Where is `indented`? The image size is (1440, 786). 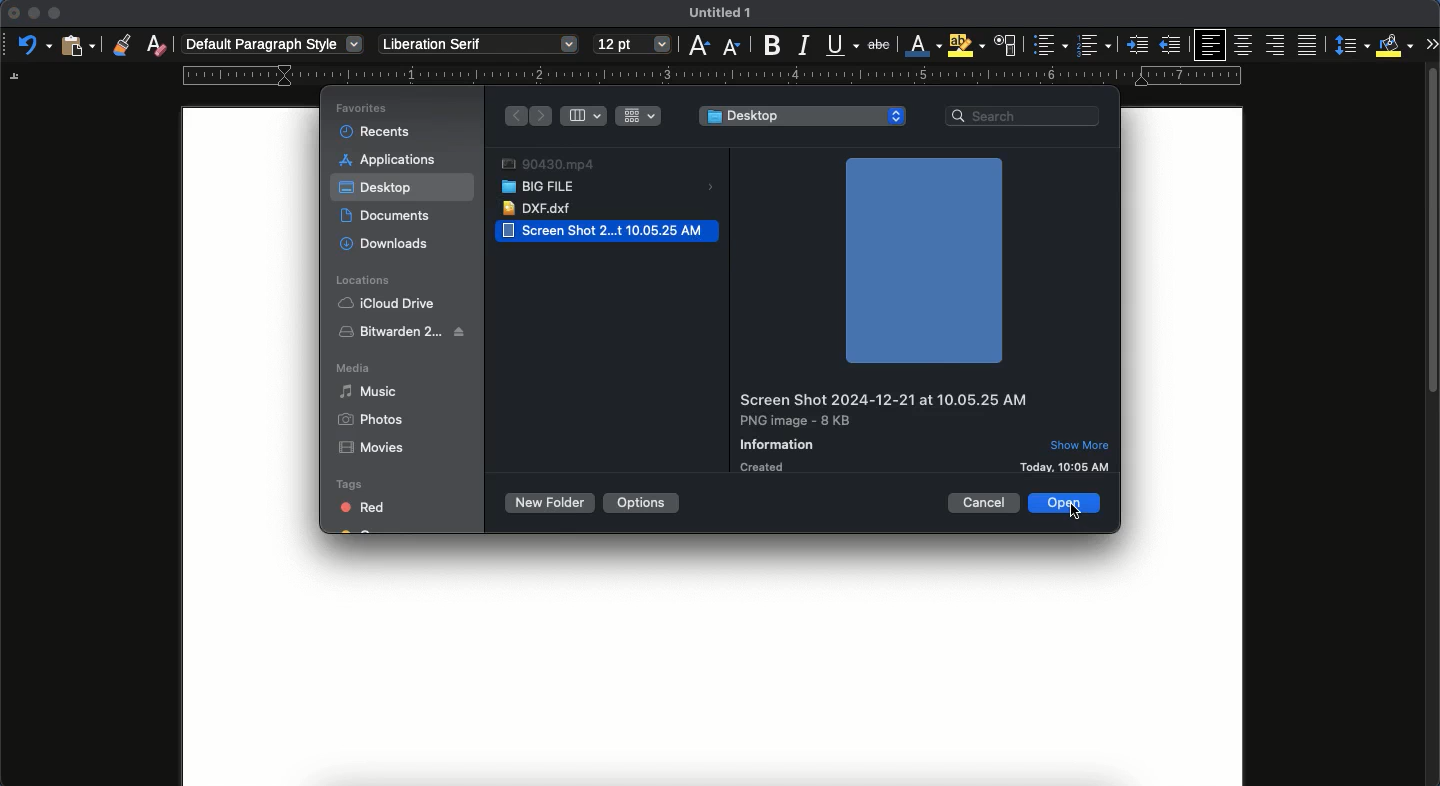
indented is located at coordinates (1136, 47).